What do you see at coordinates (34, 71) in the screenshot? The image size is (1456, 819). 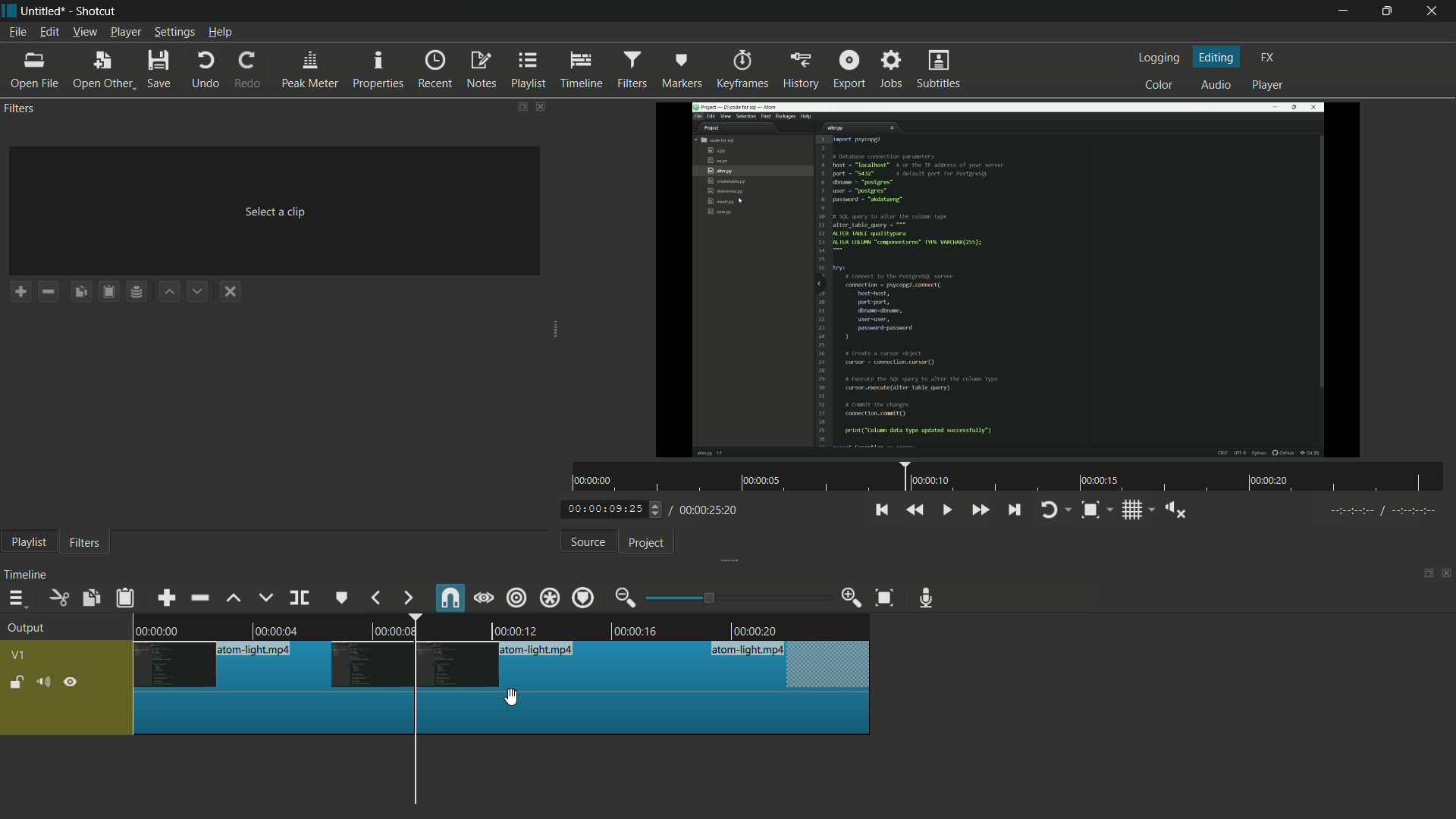 I see `open file` at bounding box center [34, 71].